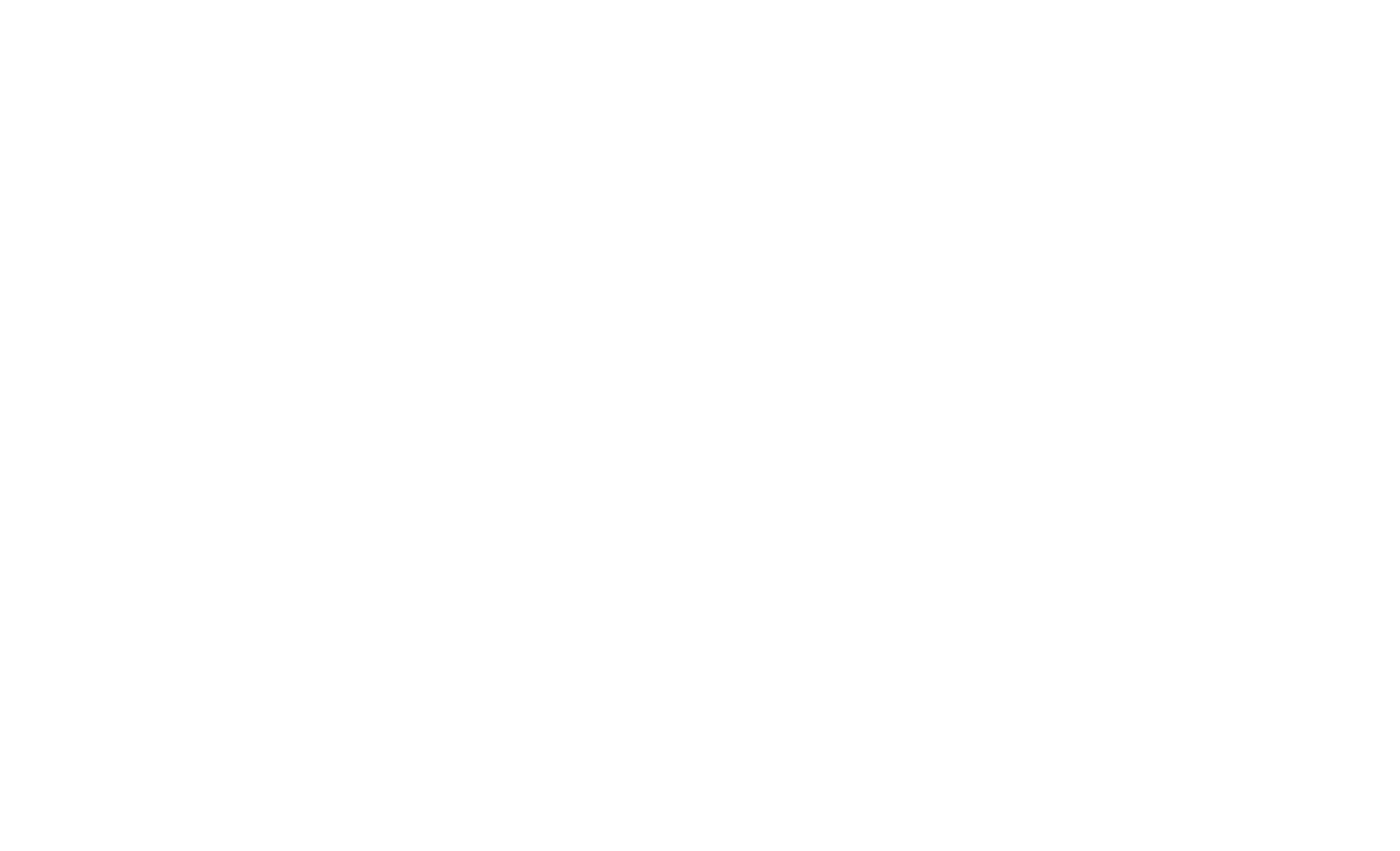  I want to click on Broadcast, so click(1078, 837).